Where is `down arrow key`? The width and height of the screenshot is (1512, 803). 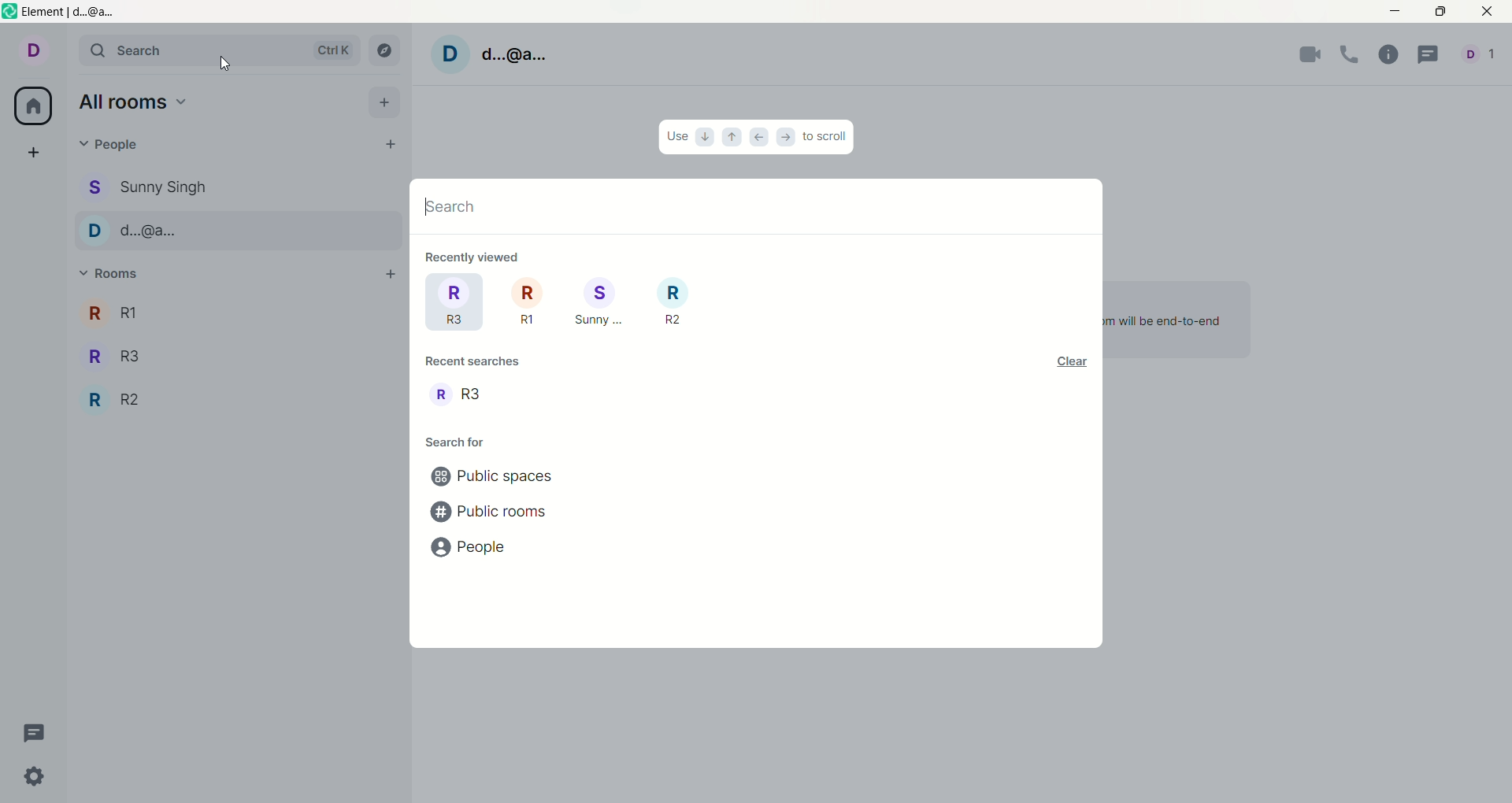
down arrow key is located at coordinates (706, 137).